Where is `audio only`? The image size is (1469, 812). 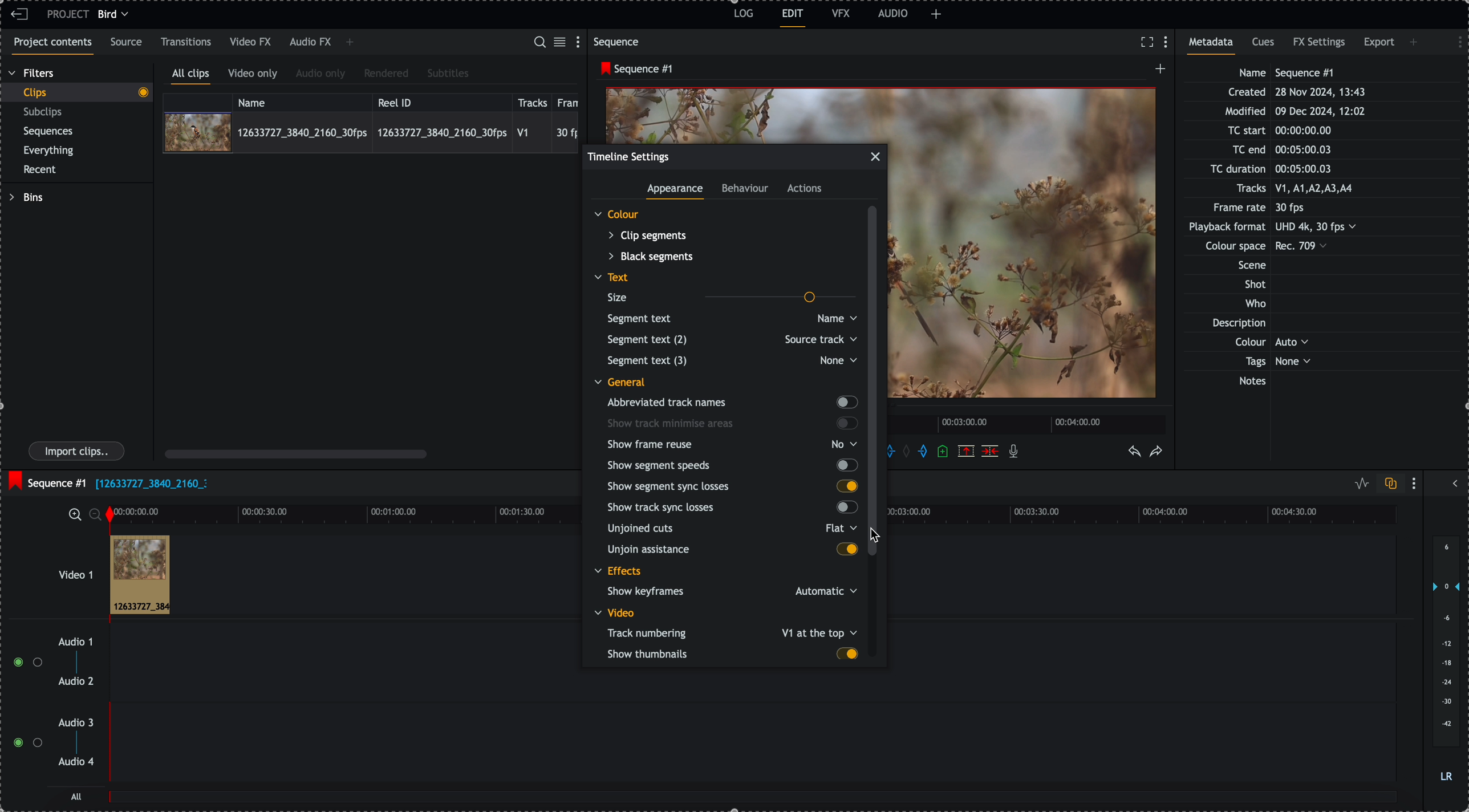 audio only is located at coordinates (321, 75).